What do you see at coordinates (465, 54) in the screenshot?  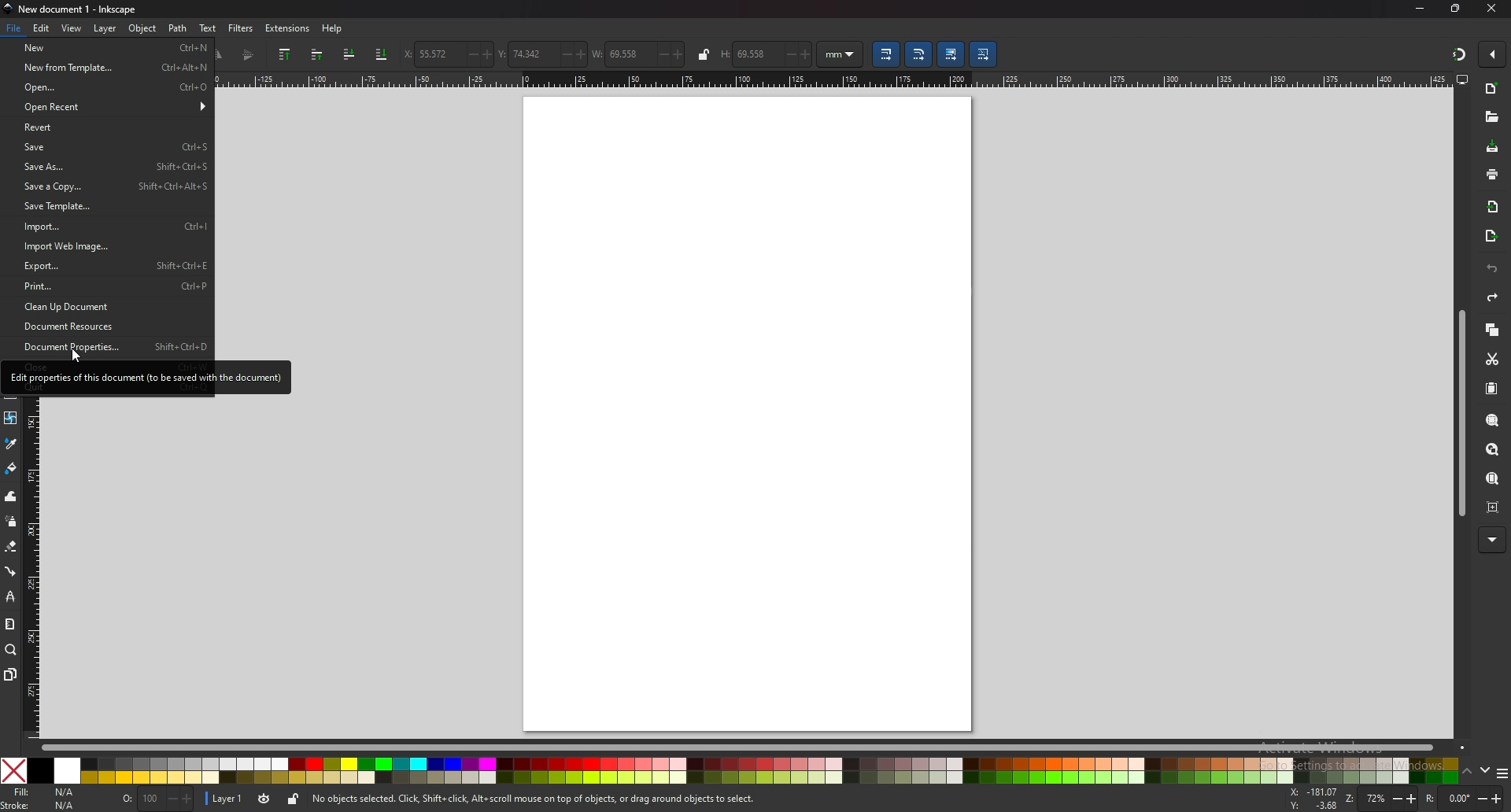 I see `-` at bounding box center [465, 54].